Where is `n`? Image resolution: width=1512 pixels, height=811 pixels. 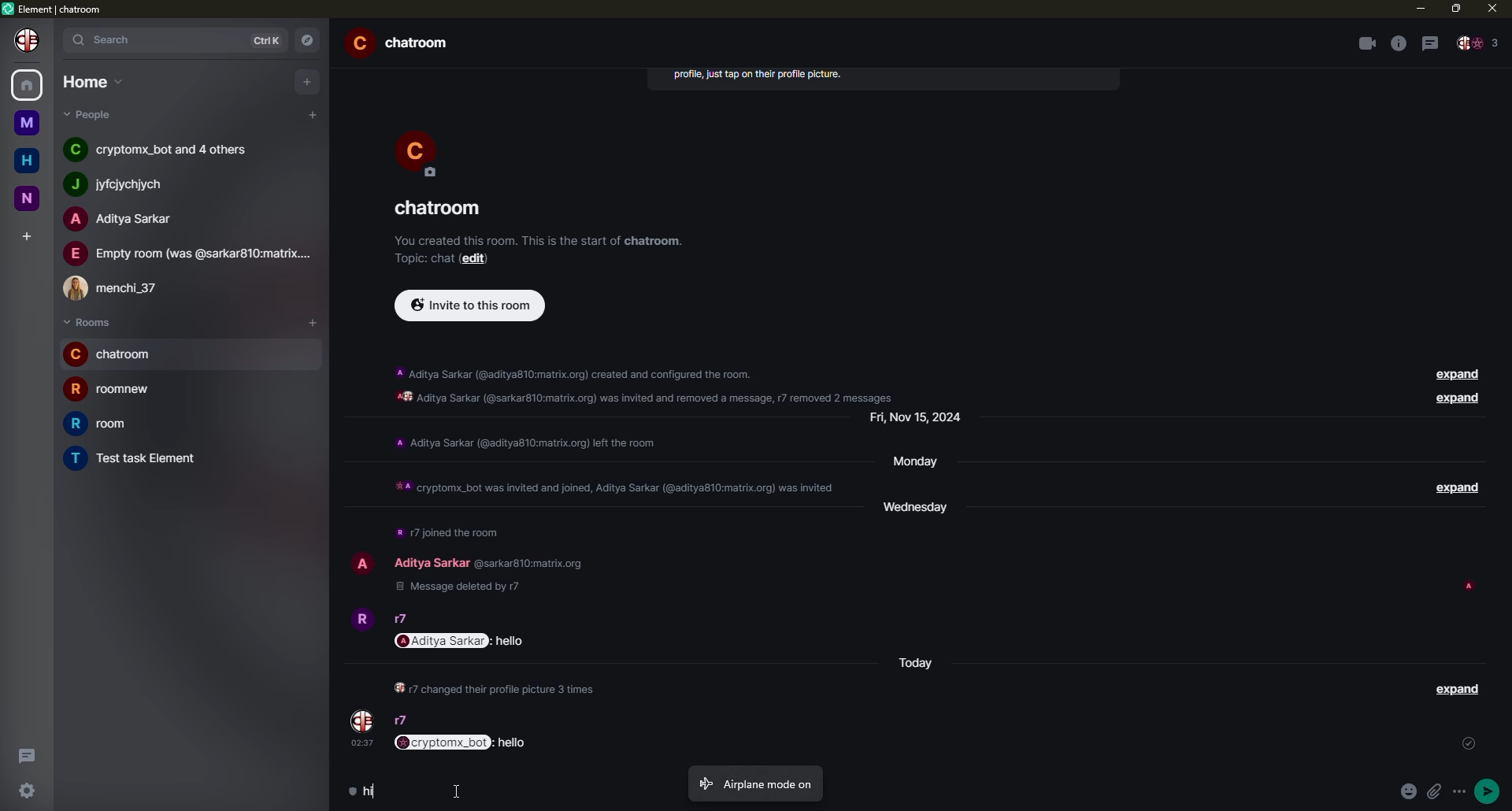 n is located at coordinates (28, 198).